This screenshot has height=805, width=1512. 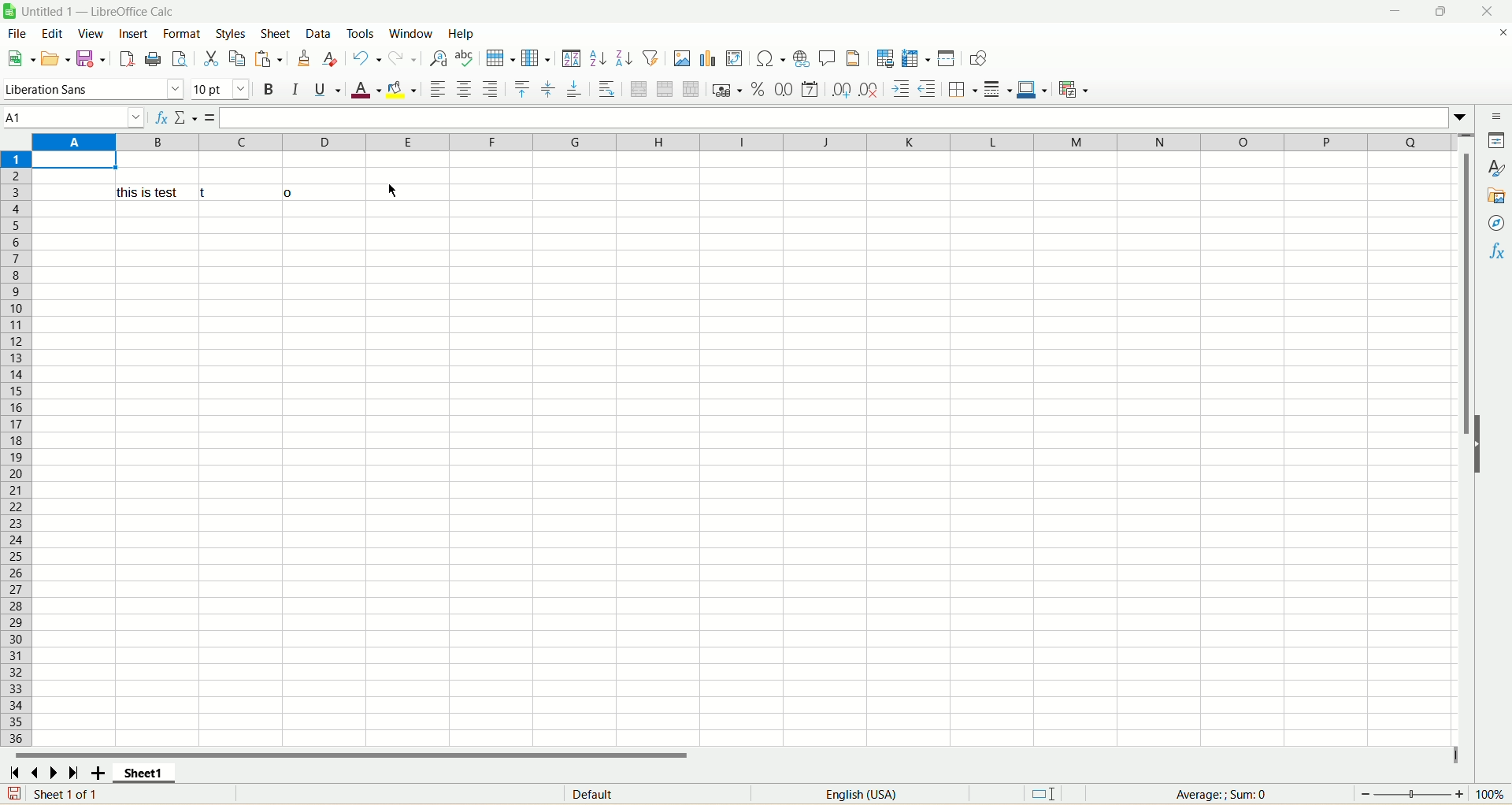 I want to click on border style, so click(x=997, y=91).